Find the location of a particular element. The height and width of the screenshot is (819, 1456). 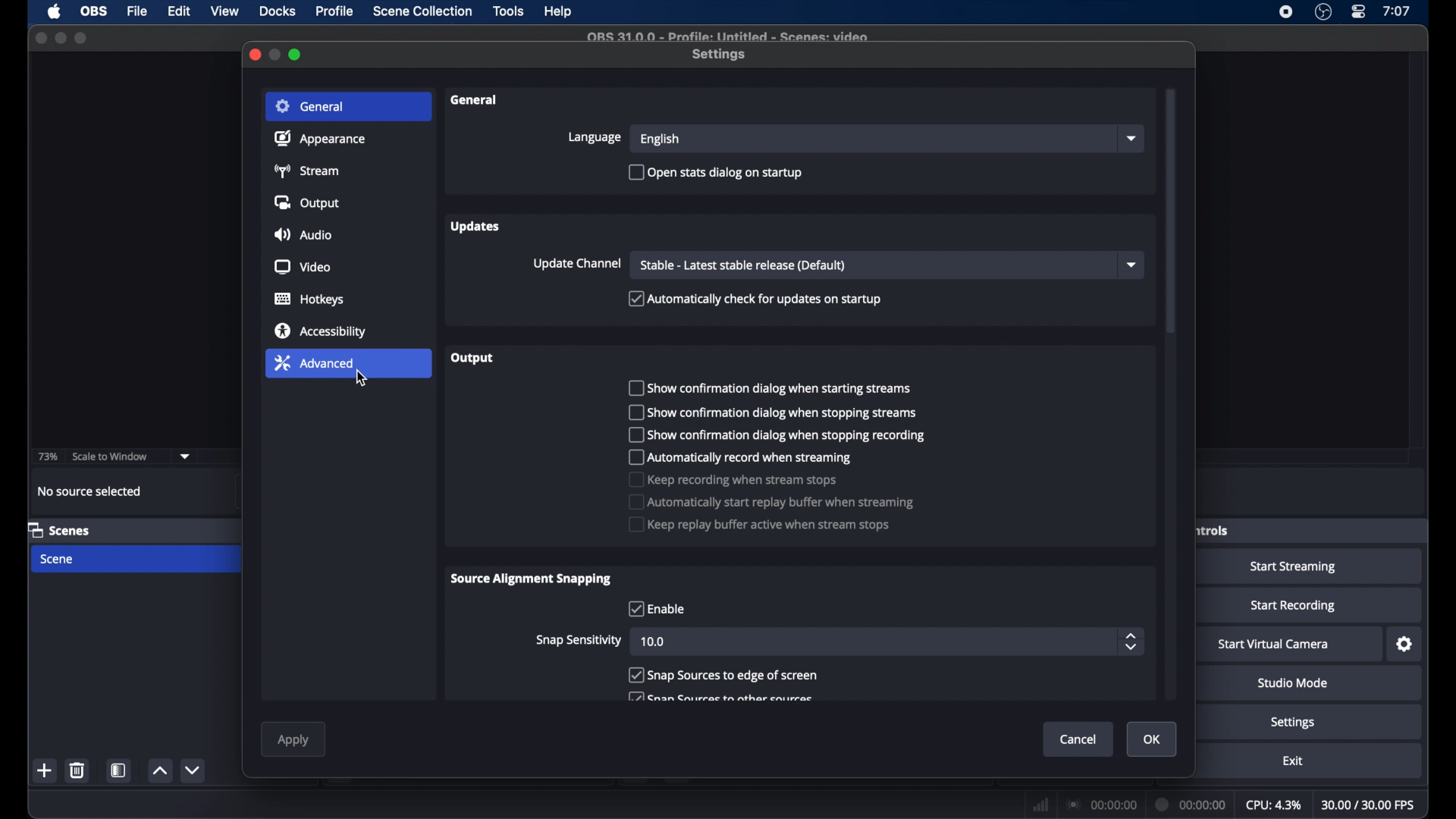

advanced is located at coordinates (315, 362).